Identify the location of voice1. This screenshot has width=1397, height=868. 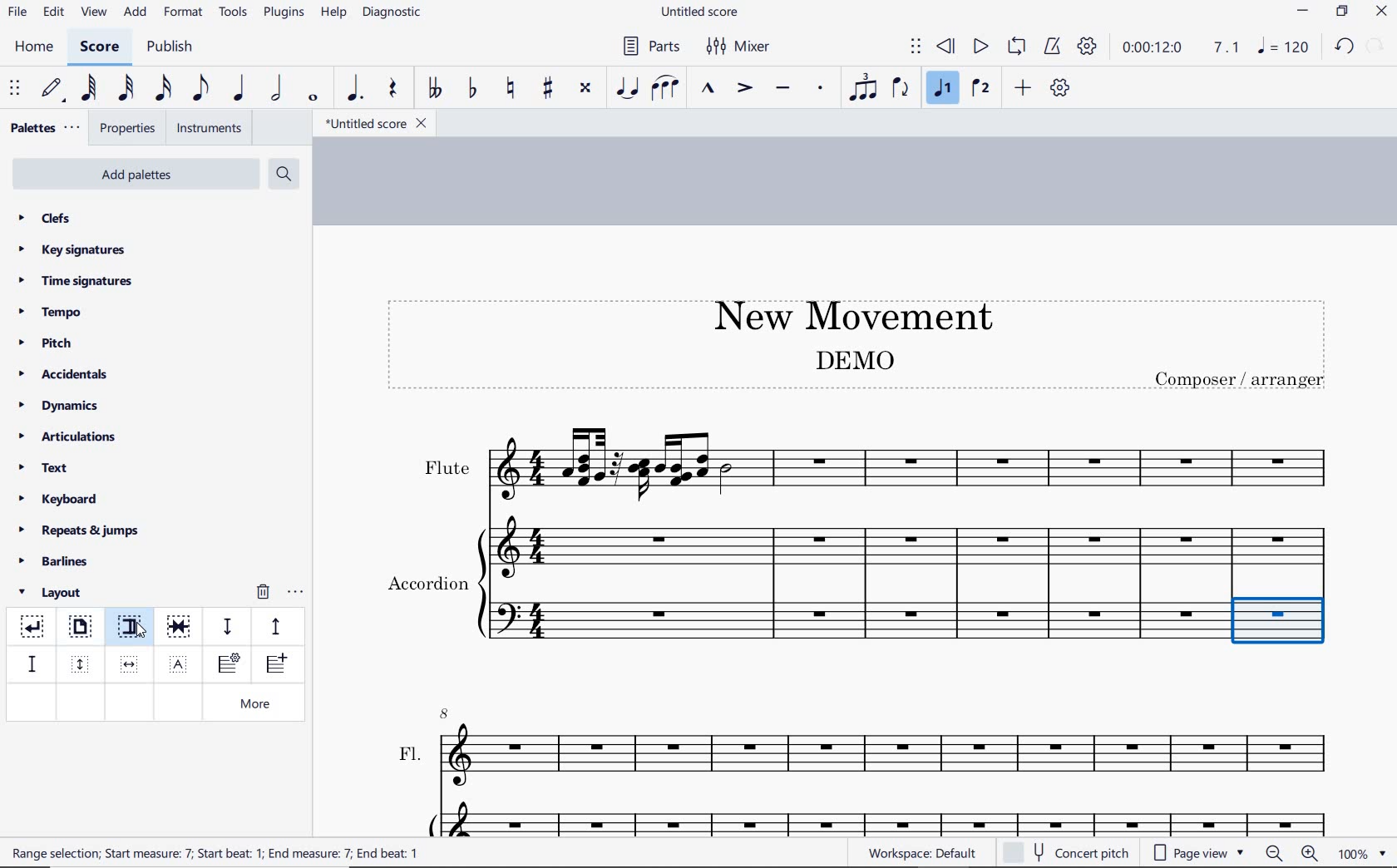
(945, 89).